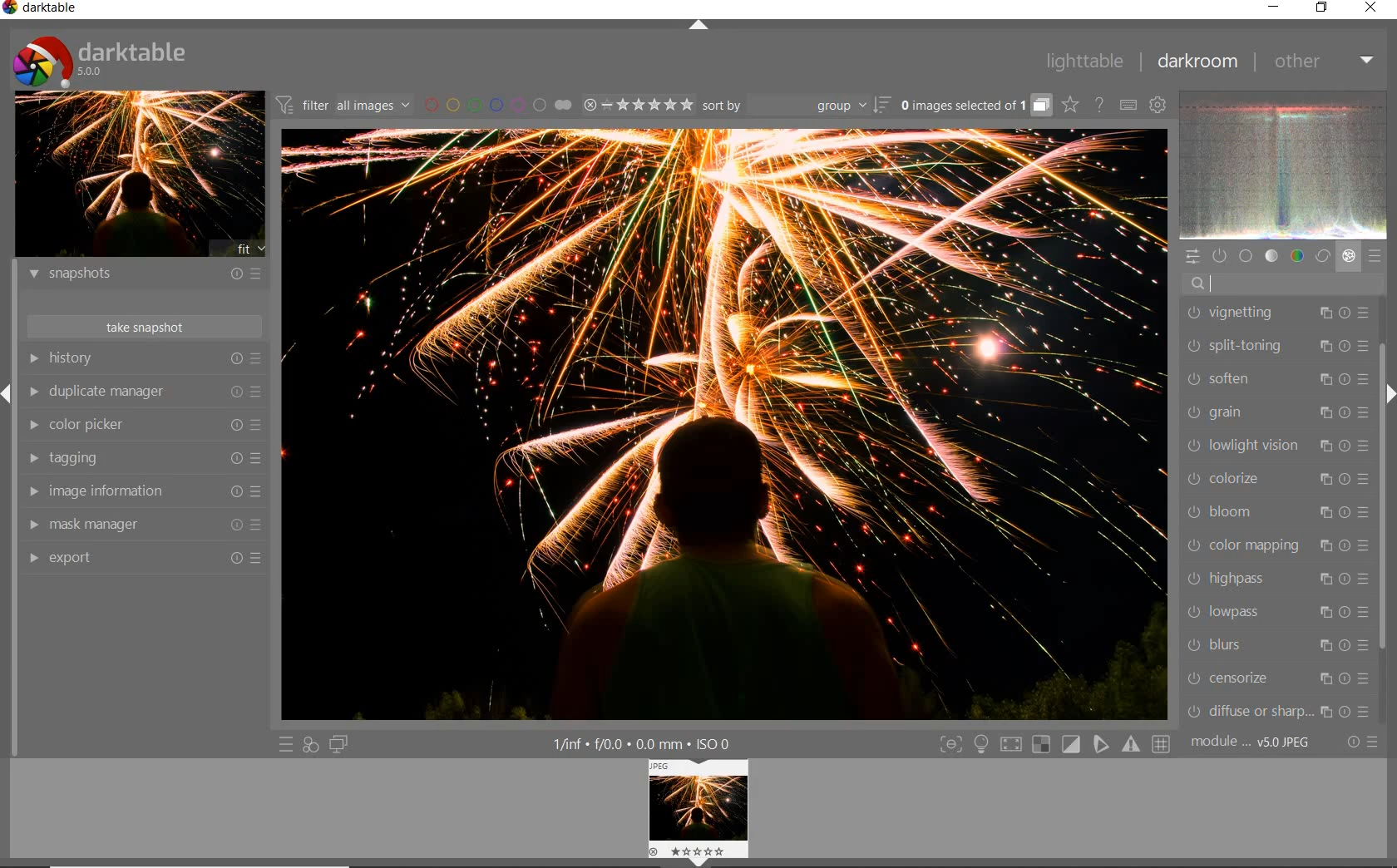 This screenshot has height=868, width=1397. What do you see at coordinates (1156, 105) in the screenshot?
I see `show global preferences` at bounding box center [1156, 105].